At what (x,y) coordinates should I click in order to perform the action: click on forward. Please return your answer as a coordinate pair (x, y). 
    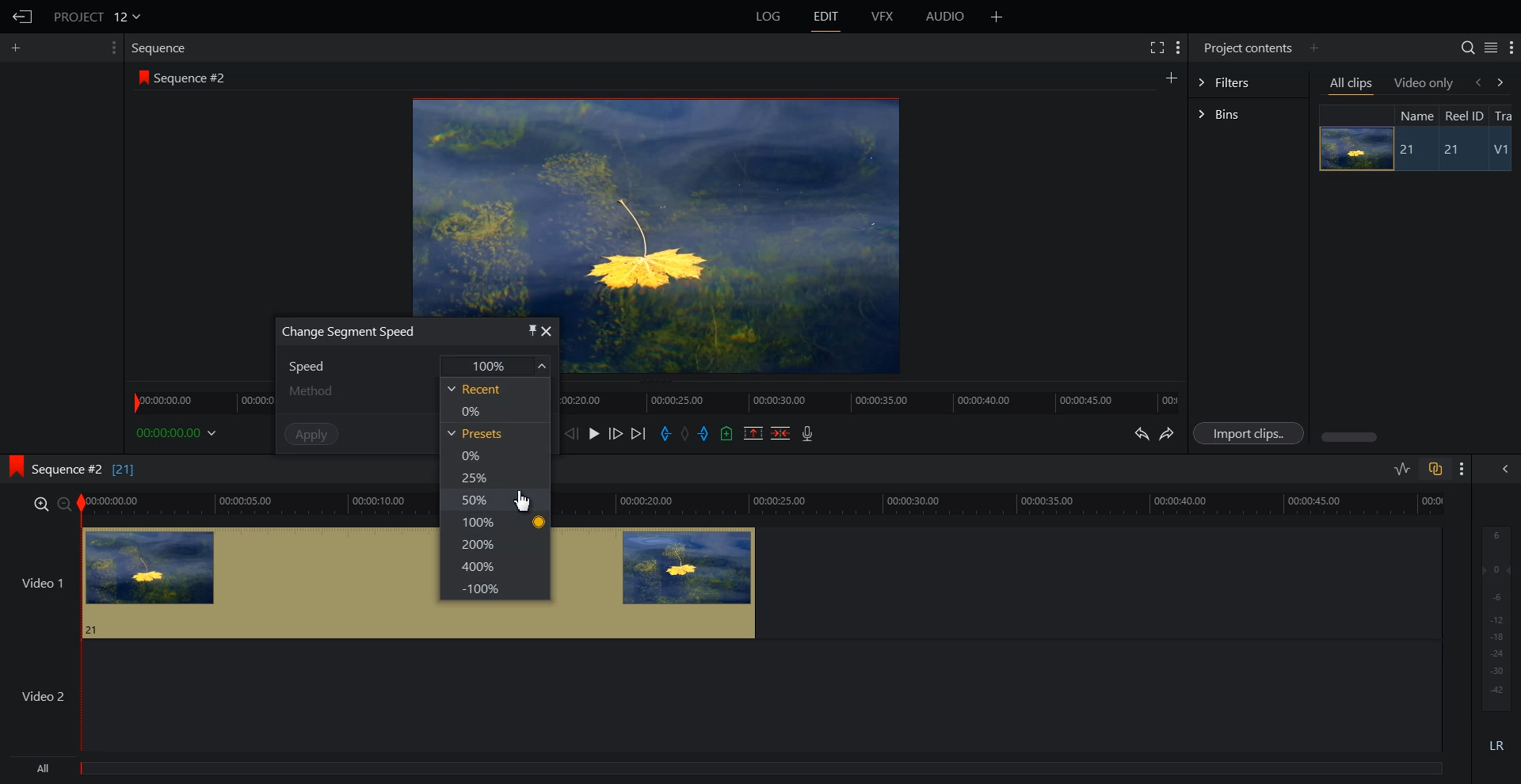
    Looking at the image, I should click on (1504, 82).